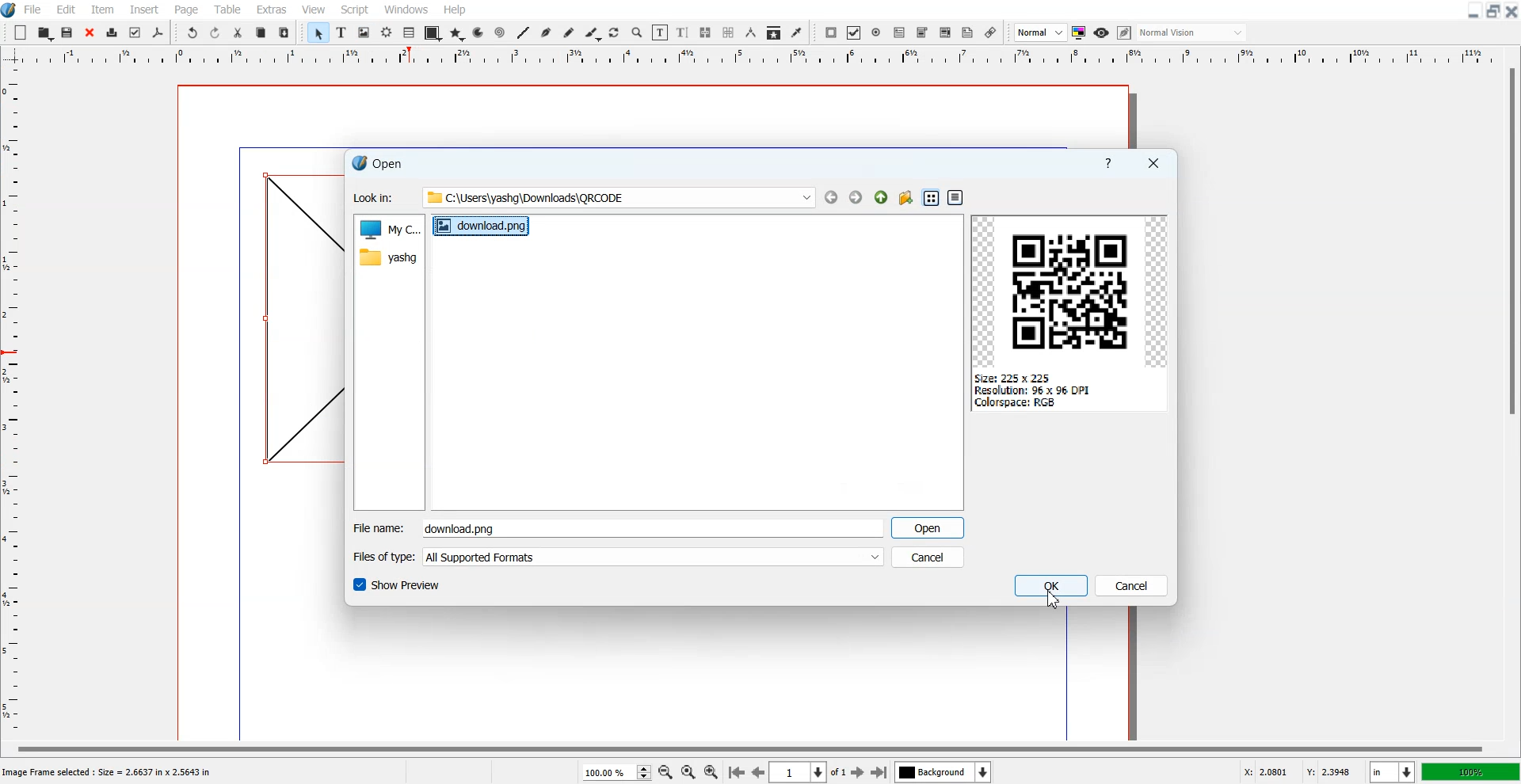 The image size is (1521, 784). I want to click on Select the visual appearance, so click(1193, 33).